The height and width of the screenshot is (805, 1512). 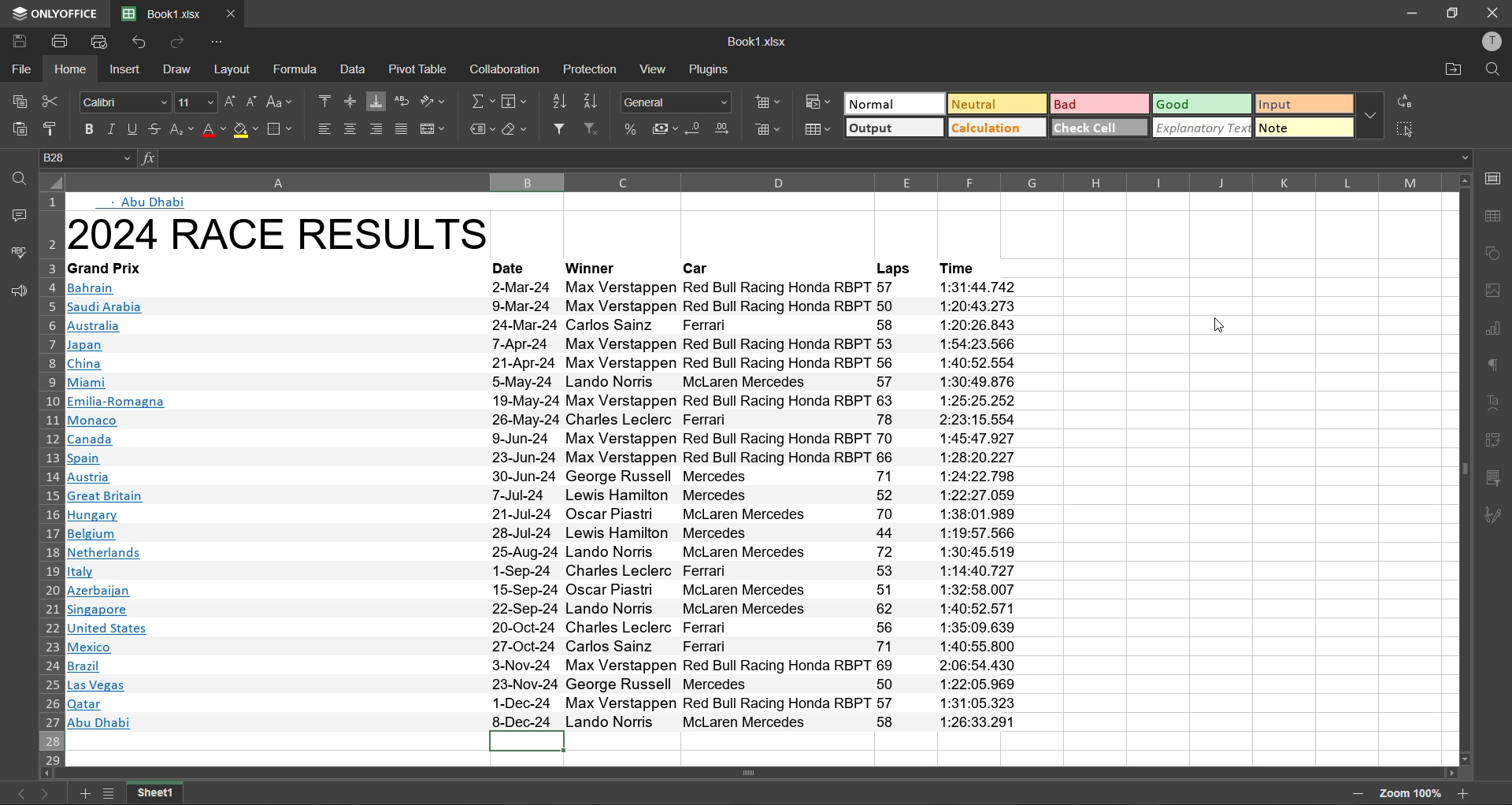 I want to click on more options, so click(x=1369, y=115).